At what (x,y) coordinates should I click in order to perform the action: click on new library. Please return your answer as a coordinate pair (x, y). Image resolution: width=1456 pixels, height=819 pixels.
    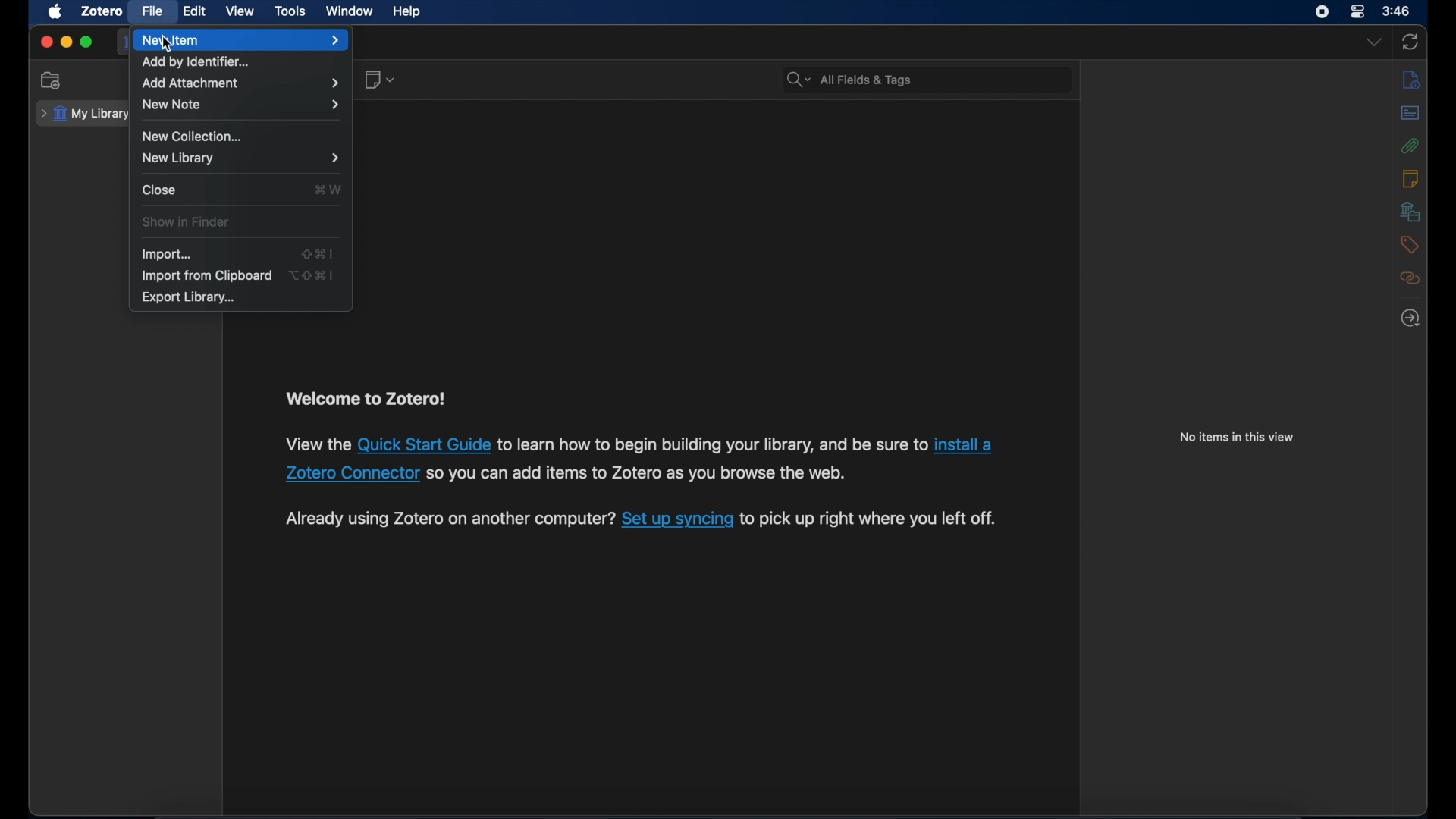
    Looking at the image, I should click on (240, 158).